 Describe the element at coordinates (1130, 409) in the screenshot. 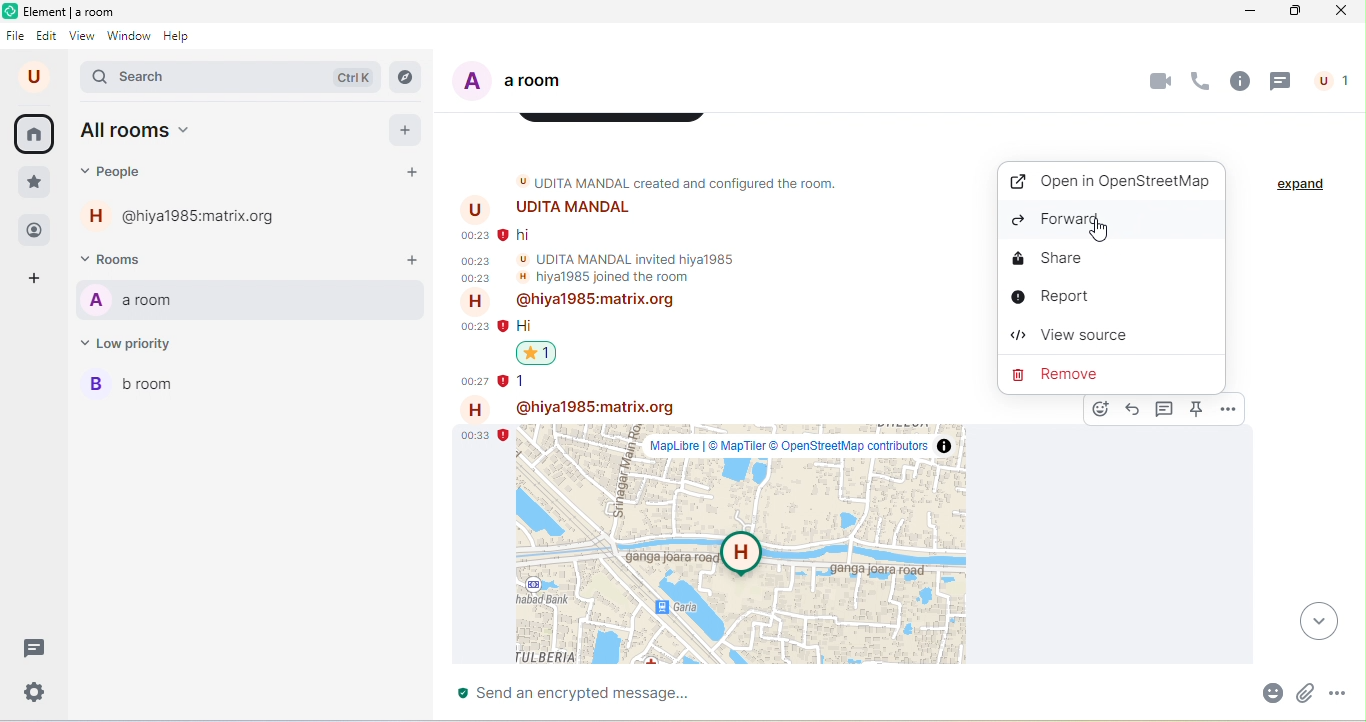

I see `reply` at that location.